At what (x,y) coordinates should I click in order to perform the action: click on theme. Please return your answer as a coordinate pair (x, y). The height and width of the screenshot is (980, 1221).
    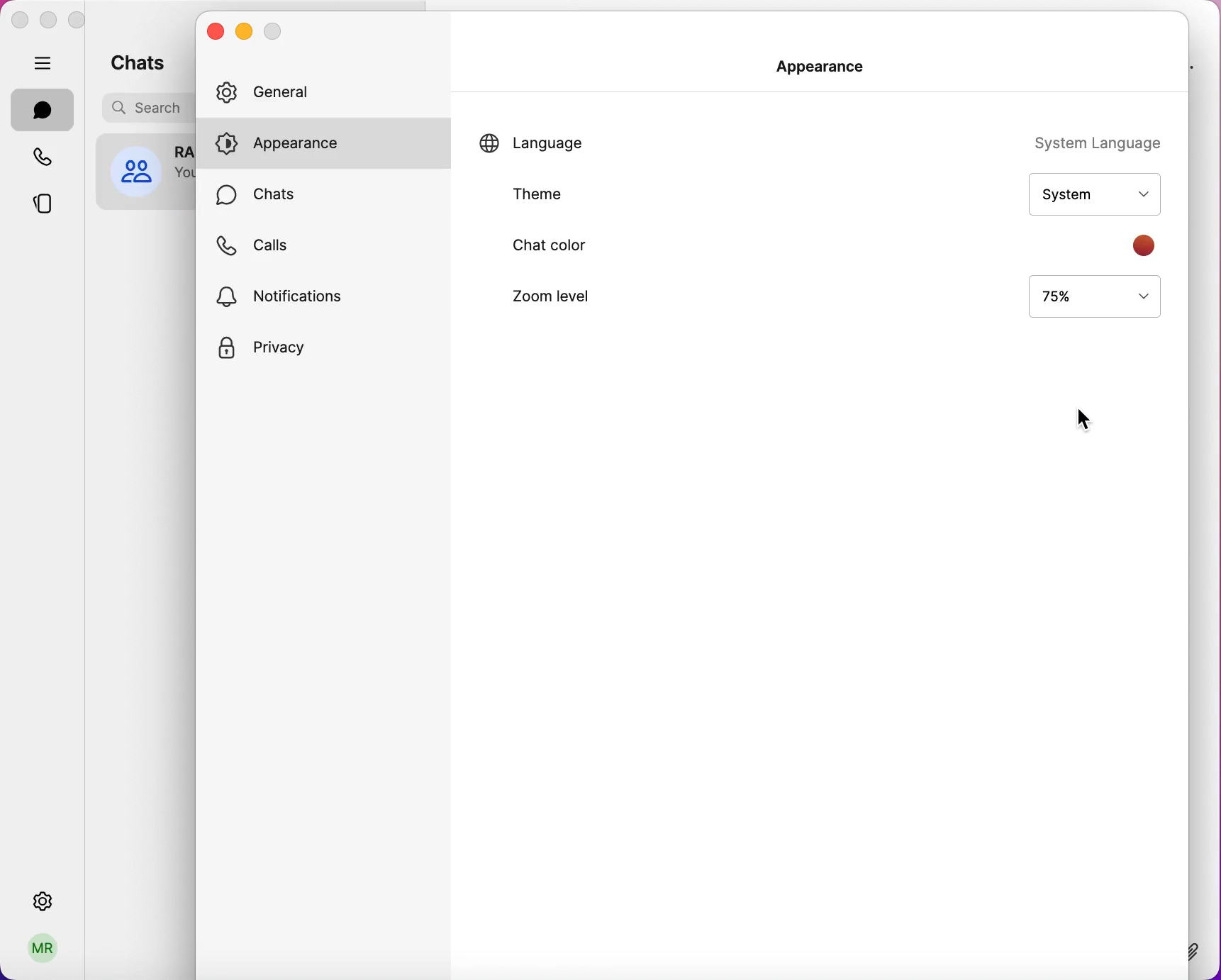
    Looking at the image, I should click on (584, 194).